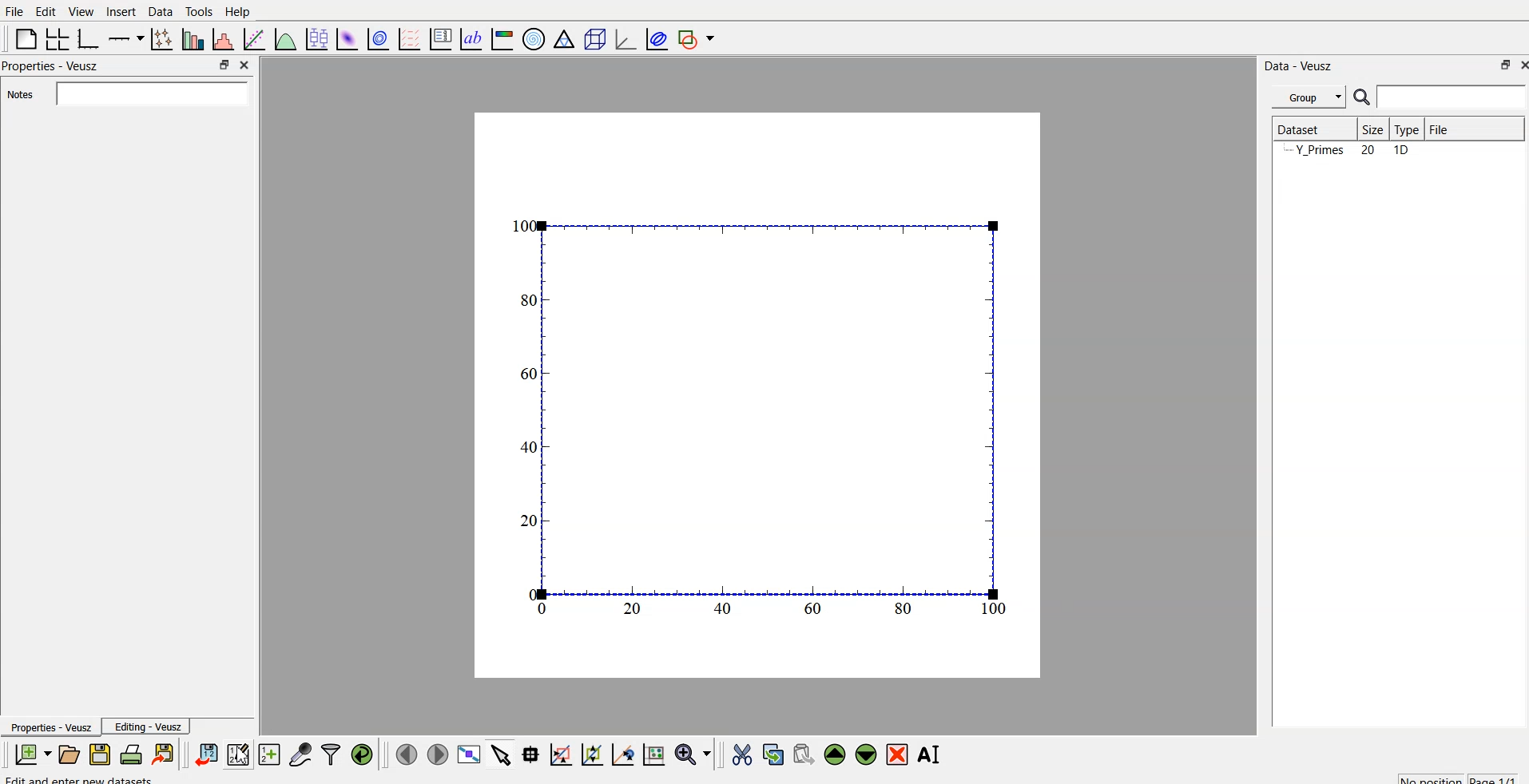  I want to click on Help, so click(241, 11).